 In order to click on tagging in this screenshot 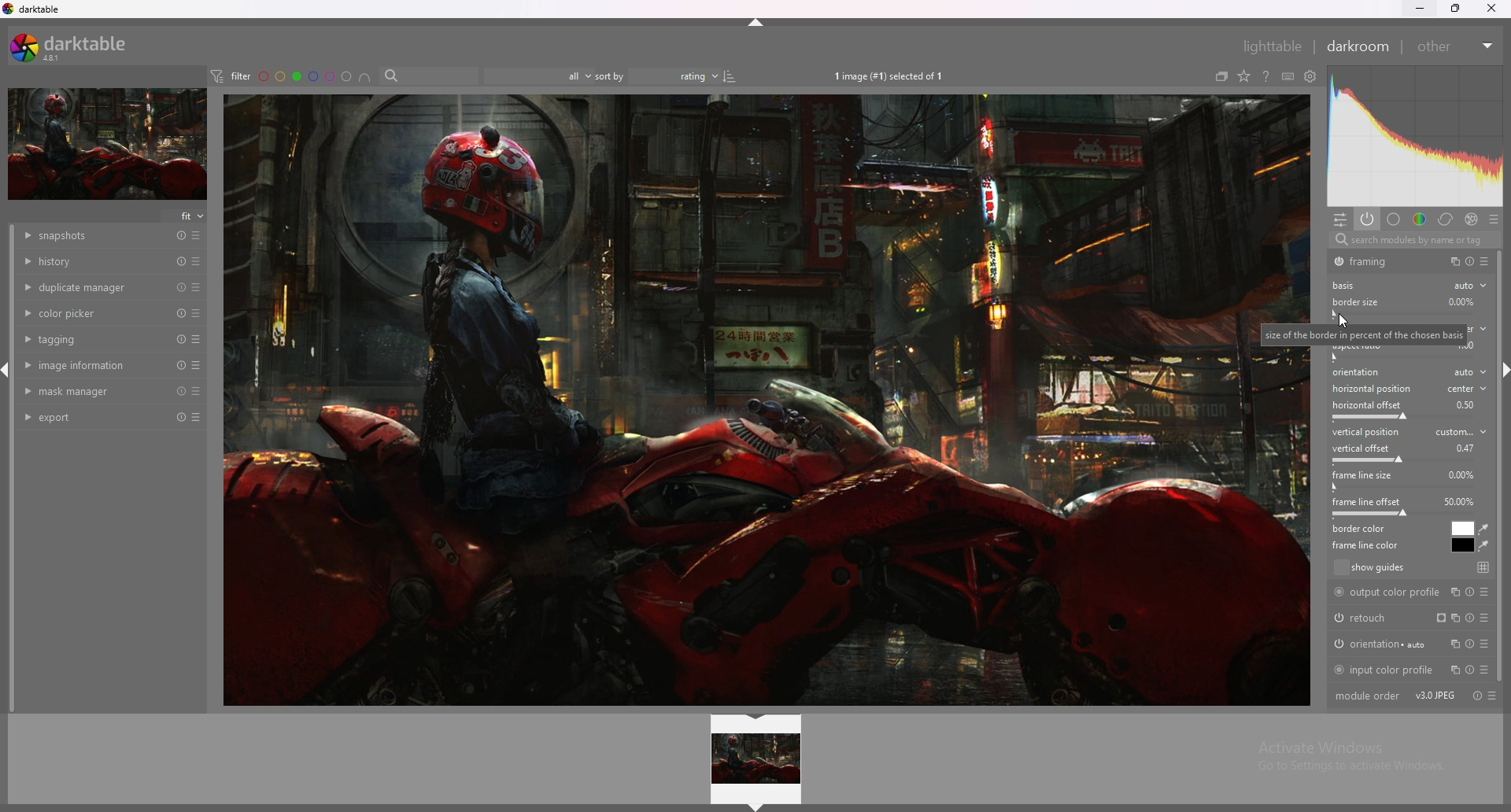, I will do `click(93, 339)`.